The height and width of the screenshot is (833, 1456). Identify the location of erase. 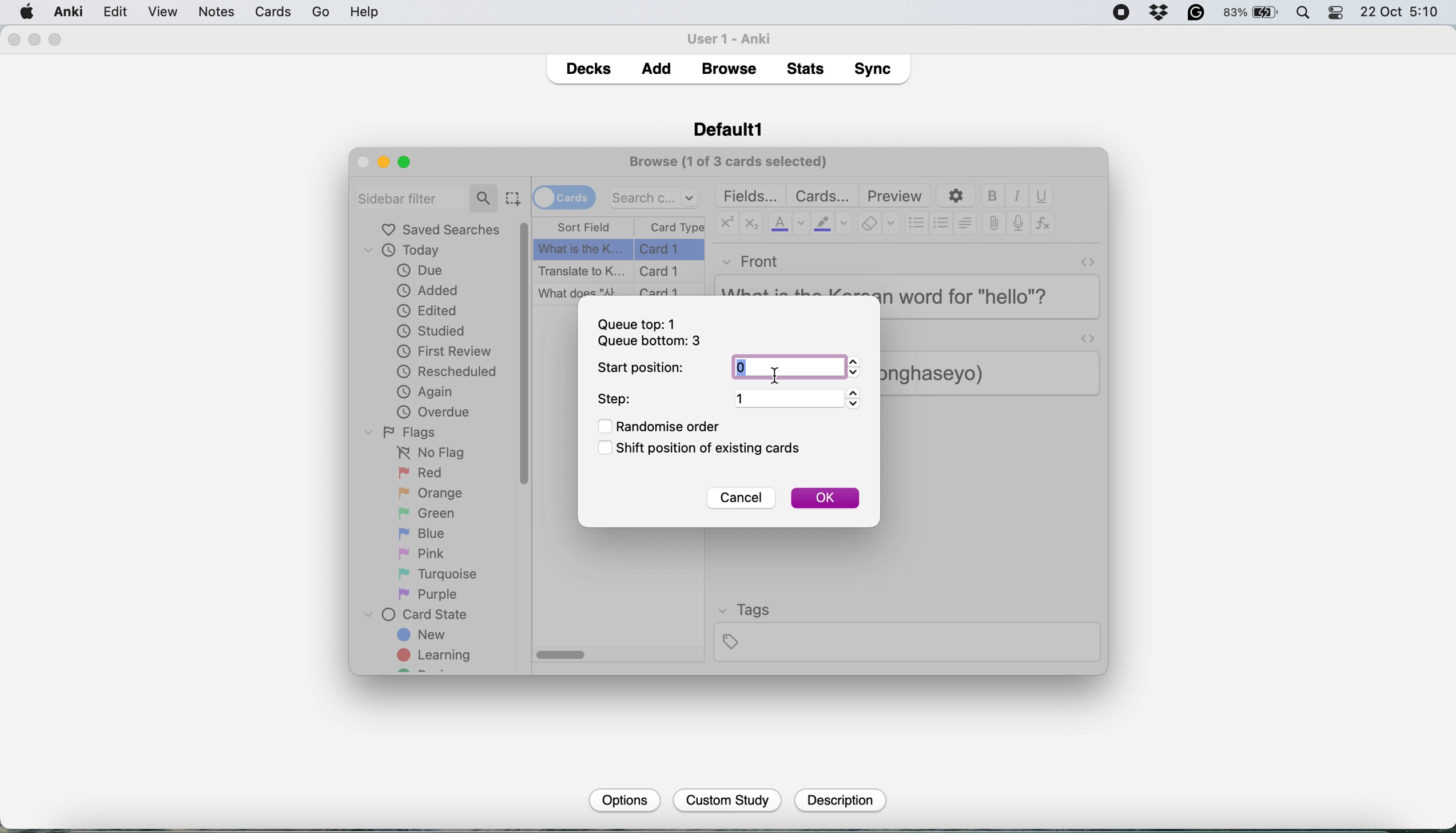
(878, 224).